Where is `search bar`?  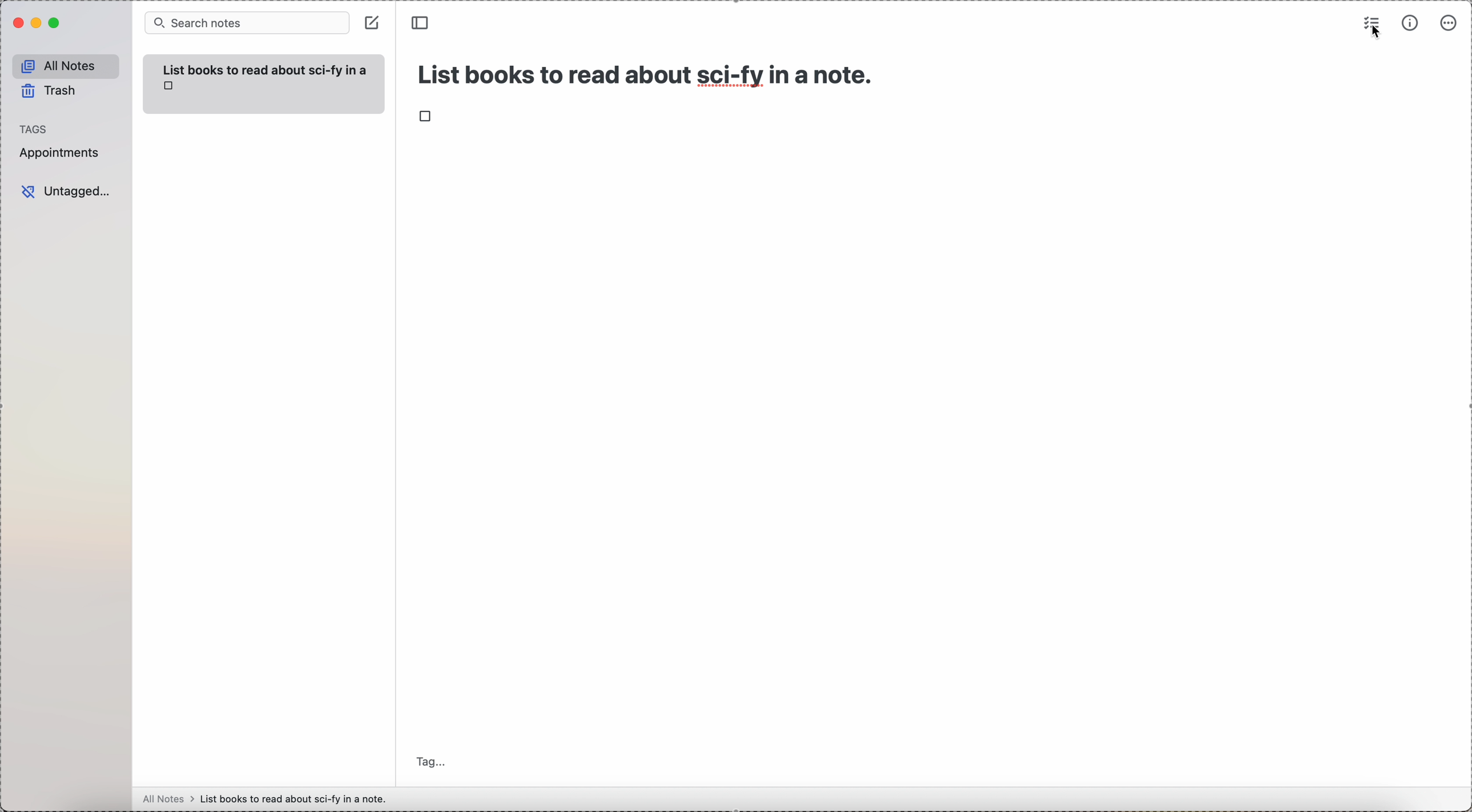
search bar is located at coordinates (246, 23).